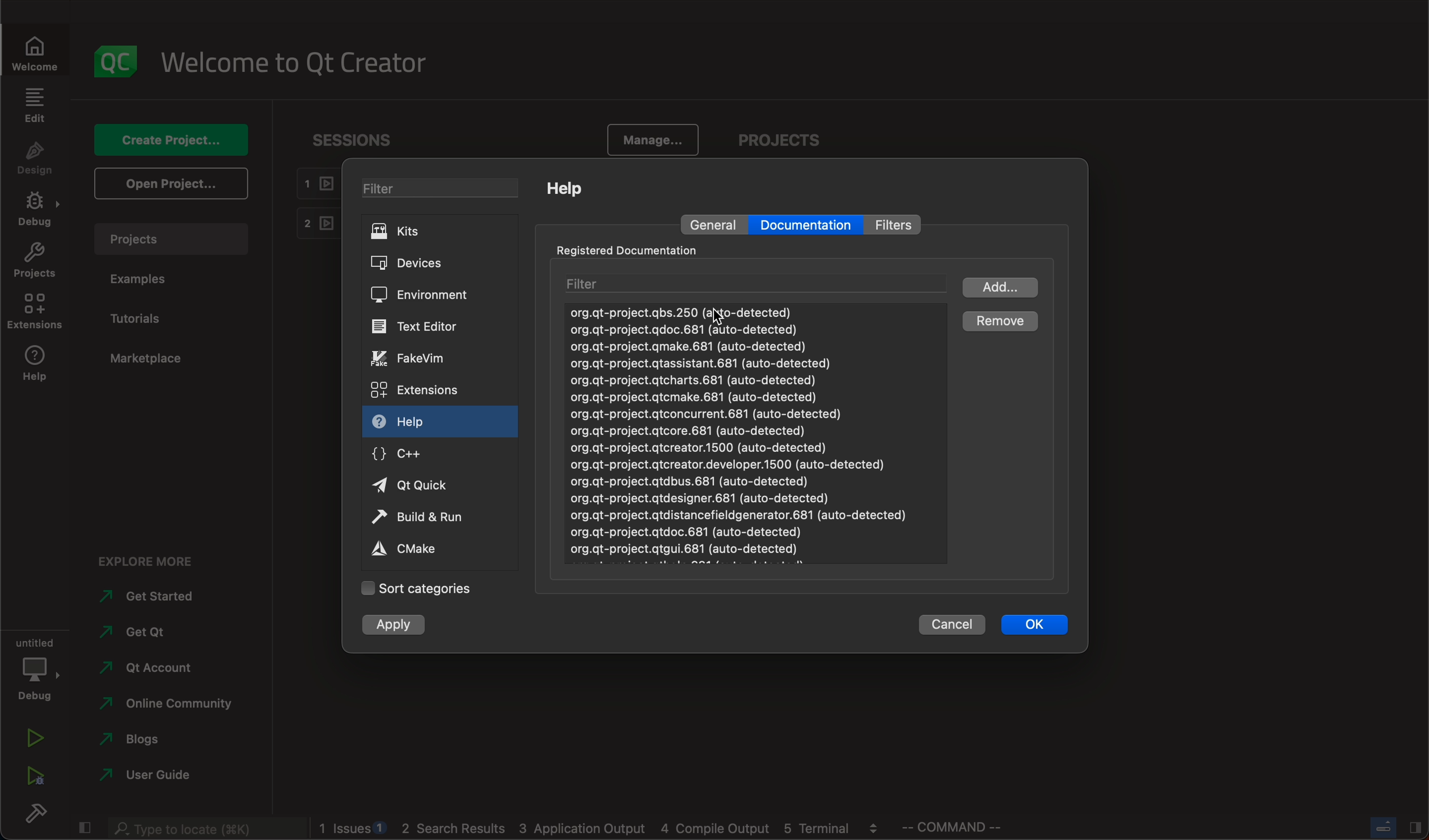  Describe the element at coordinates (206, 829) in the screenshot. I see `search bar` at that location.